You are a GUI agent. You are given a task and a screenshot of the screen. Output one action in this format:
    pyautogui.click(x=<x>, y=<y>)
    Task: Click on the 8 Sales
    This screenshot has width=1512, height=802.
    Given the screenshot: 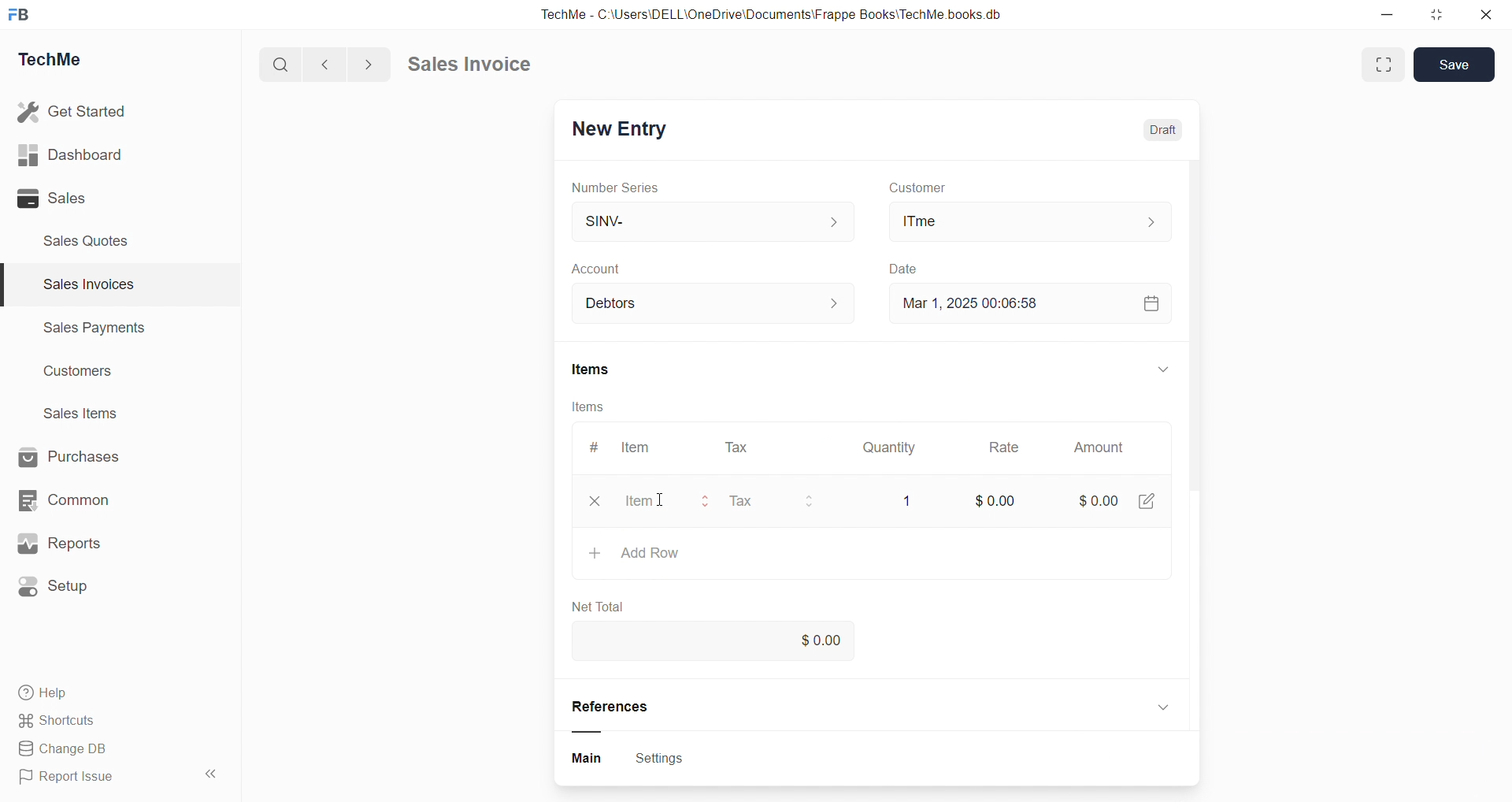 What is the action you would take?
    pyautogui.click(x=55, y=198)
    